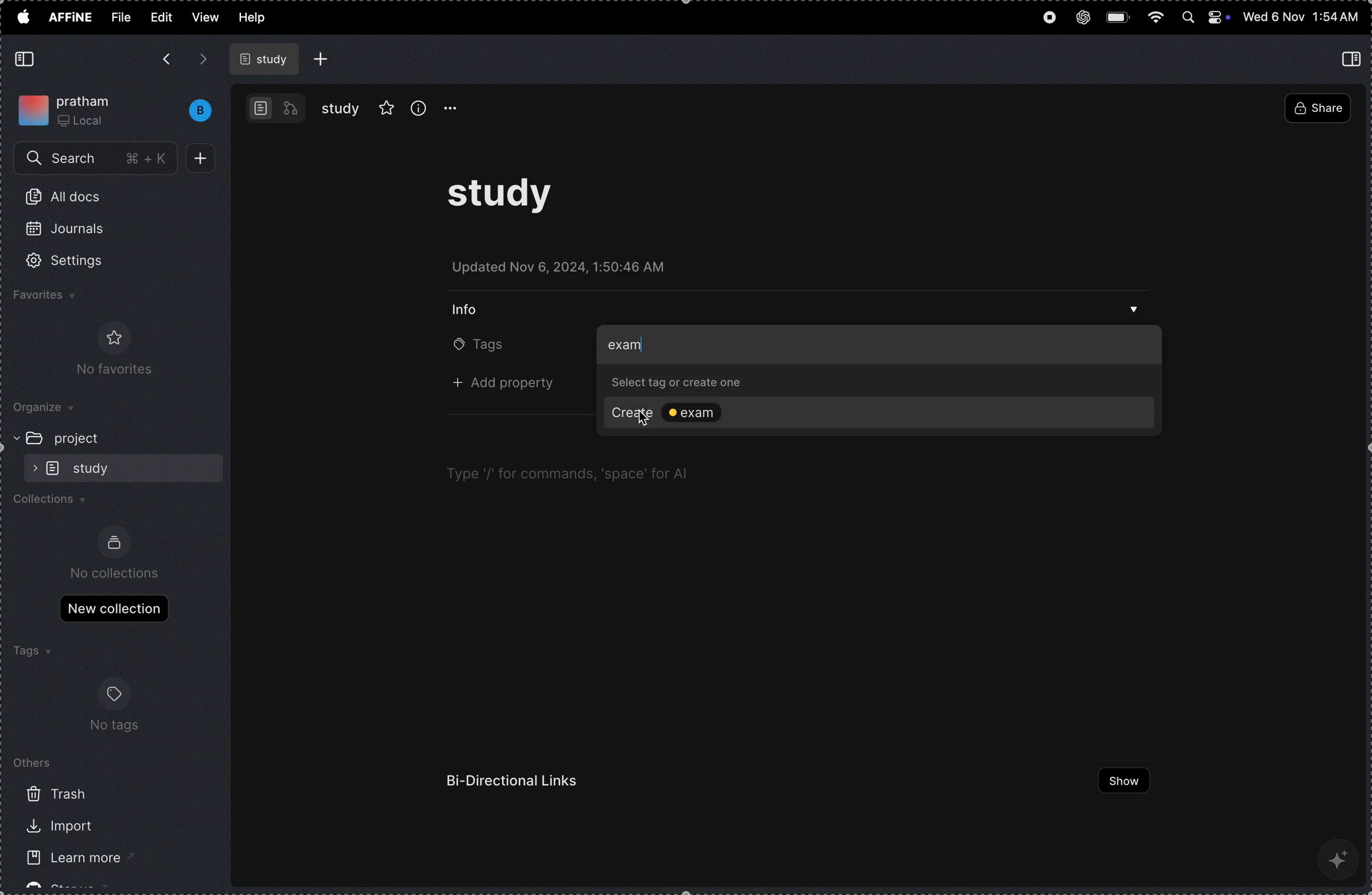 The image size is (1372, 895). Describe the element at coordinates (1317, 110) in the screenshot. I see `share` at that location.